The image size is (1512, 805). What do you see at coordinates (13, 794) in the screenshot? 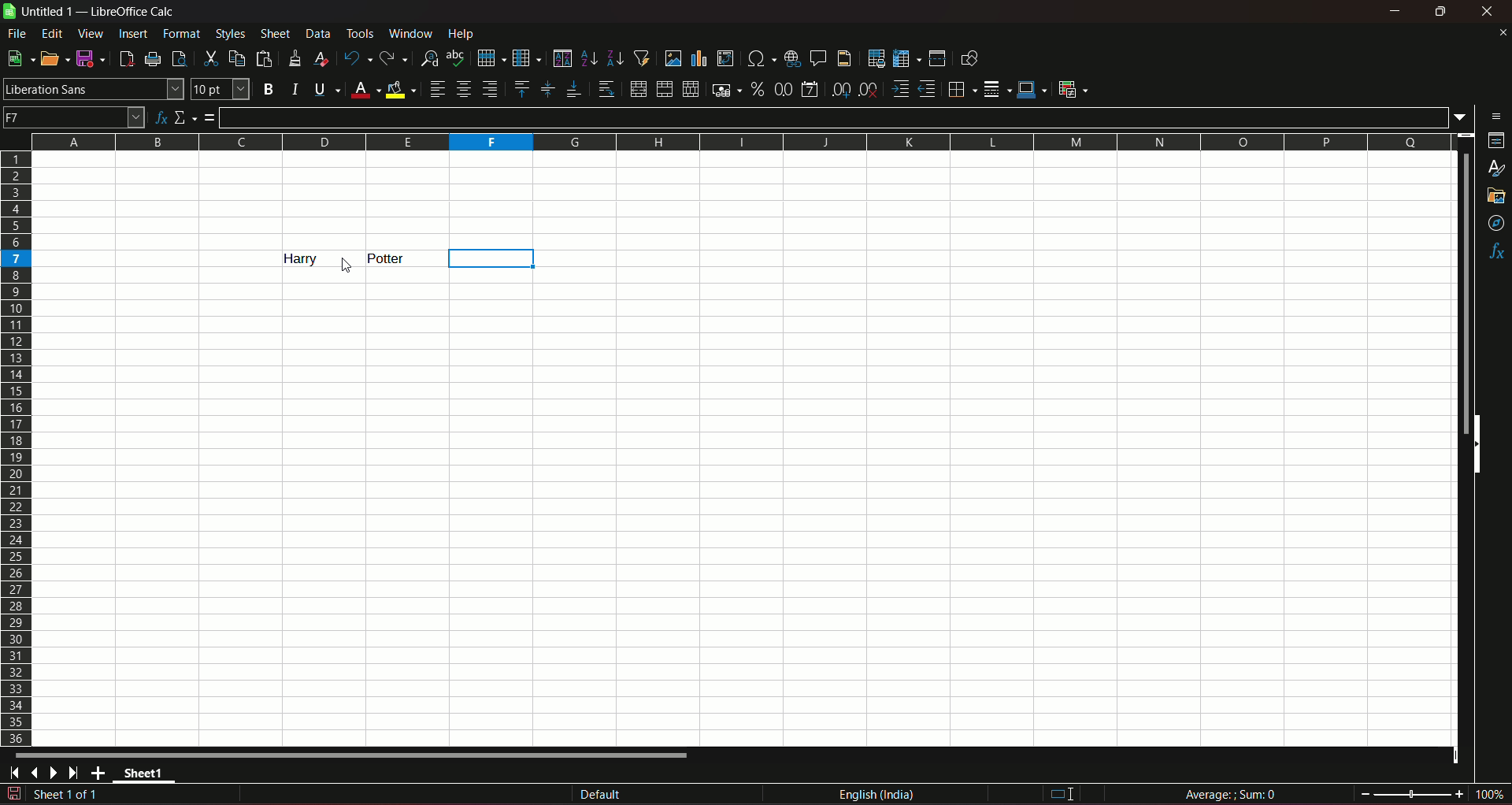
I see `document modified` at bounding box center [13, 794].